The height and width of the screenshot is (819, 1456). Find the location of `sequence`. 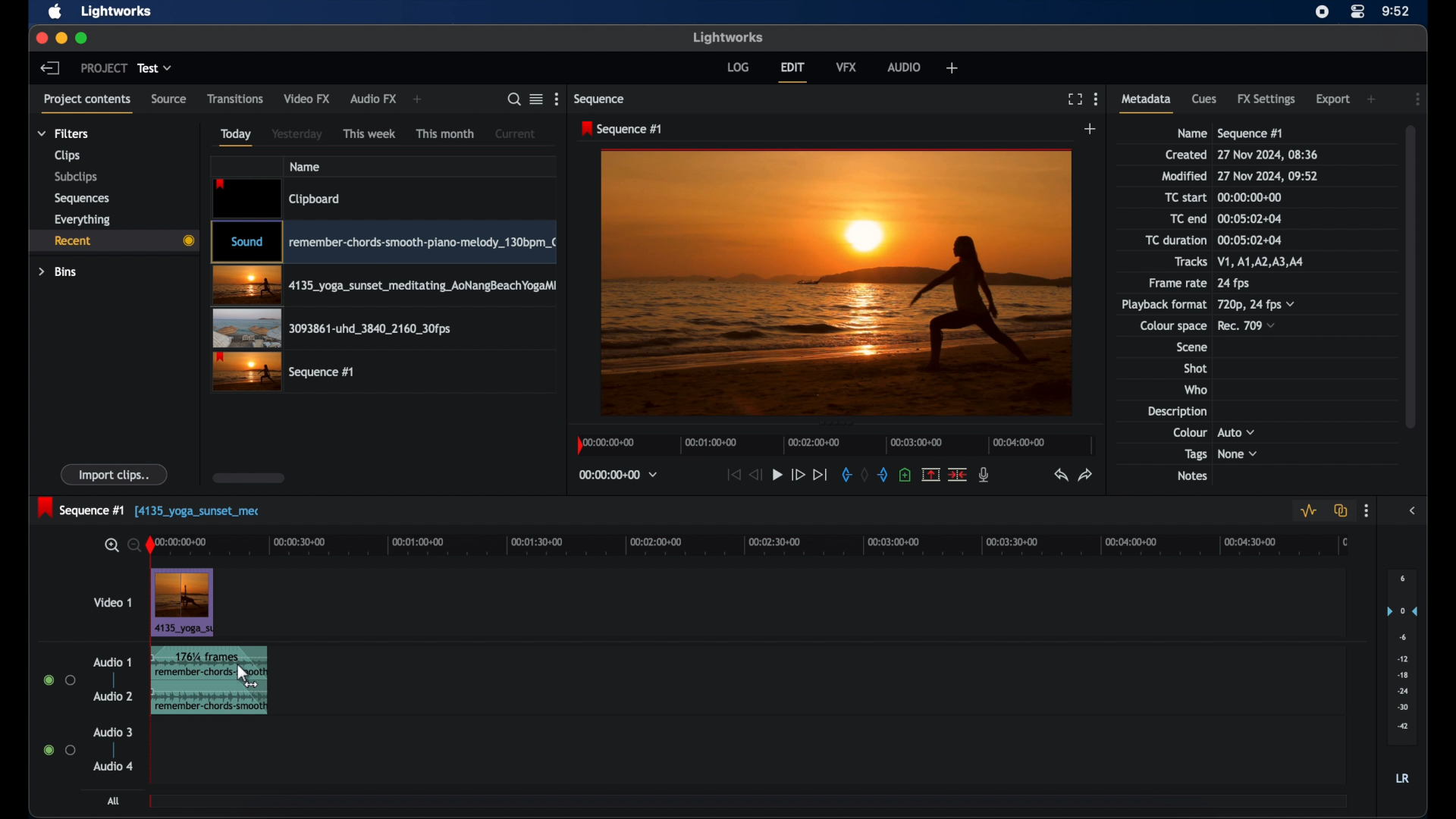

sequence is located at coordinates (601, 100).